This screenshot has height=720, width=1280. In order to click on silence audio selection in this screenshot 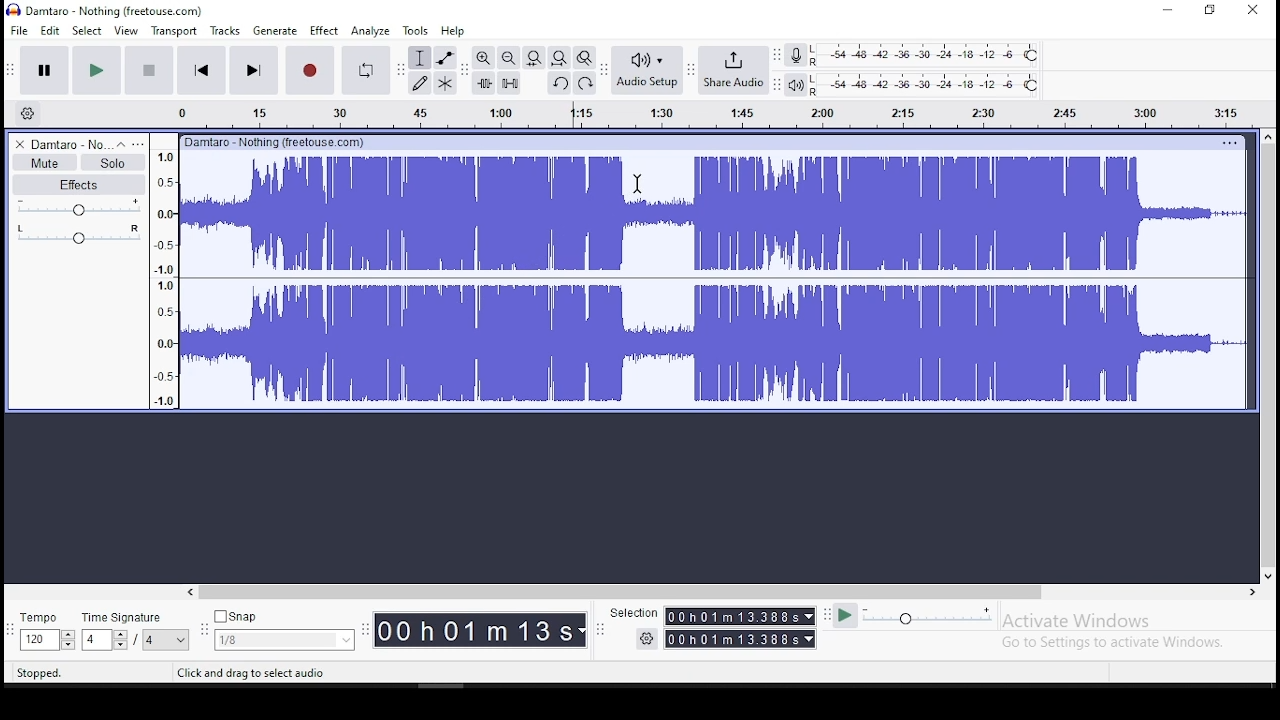, I will do `click(510, 82)`.